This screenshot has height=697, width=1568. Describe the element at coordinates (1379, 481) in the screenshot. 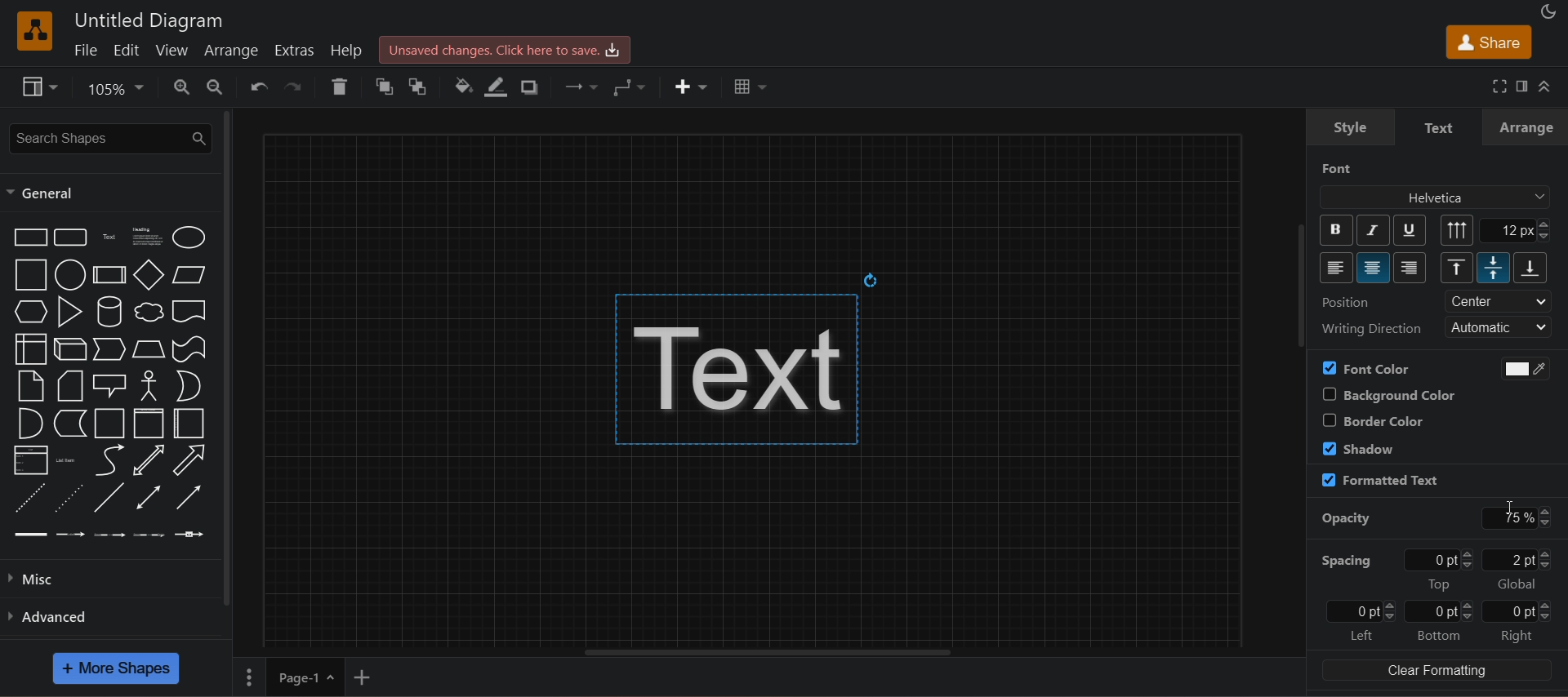

I see `formatted text` at that location.